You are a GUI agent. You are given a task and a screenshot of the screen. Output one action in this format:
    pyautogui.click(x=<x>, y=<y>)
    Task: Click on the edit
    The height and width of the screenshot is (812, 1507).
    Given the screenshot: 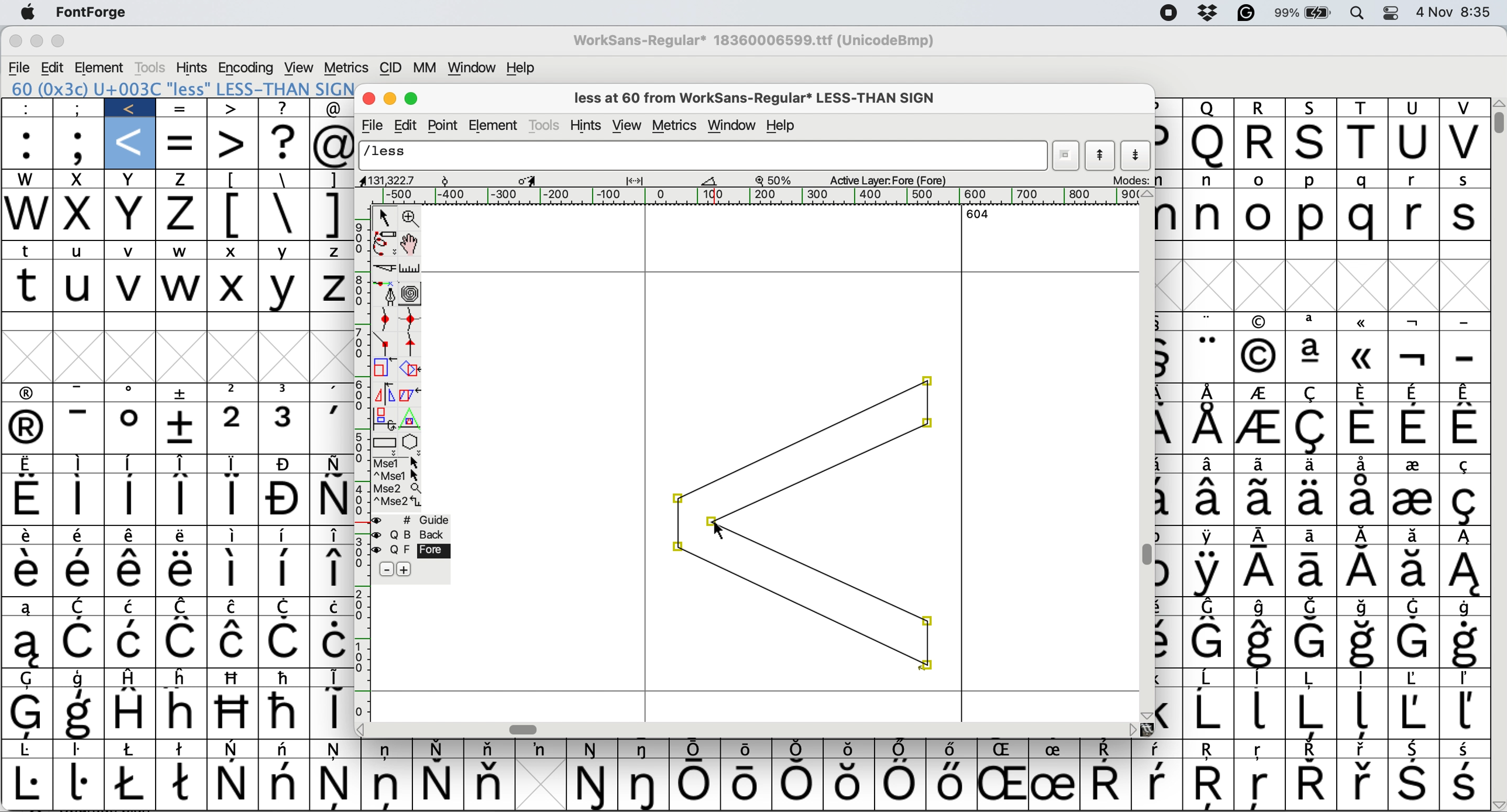 What is the action you would take?
    pyautogui.click(x=54, y=67)
    